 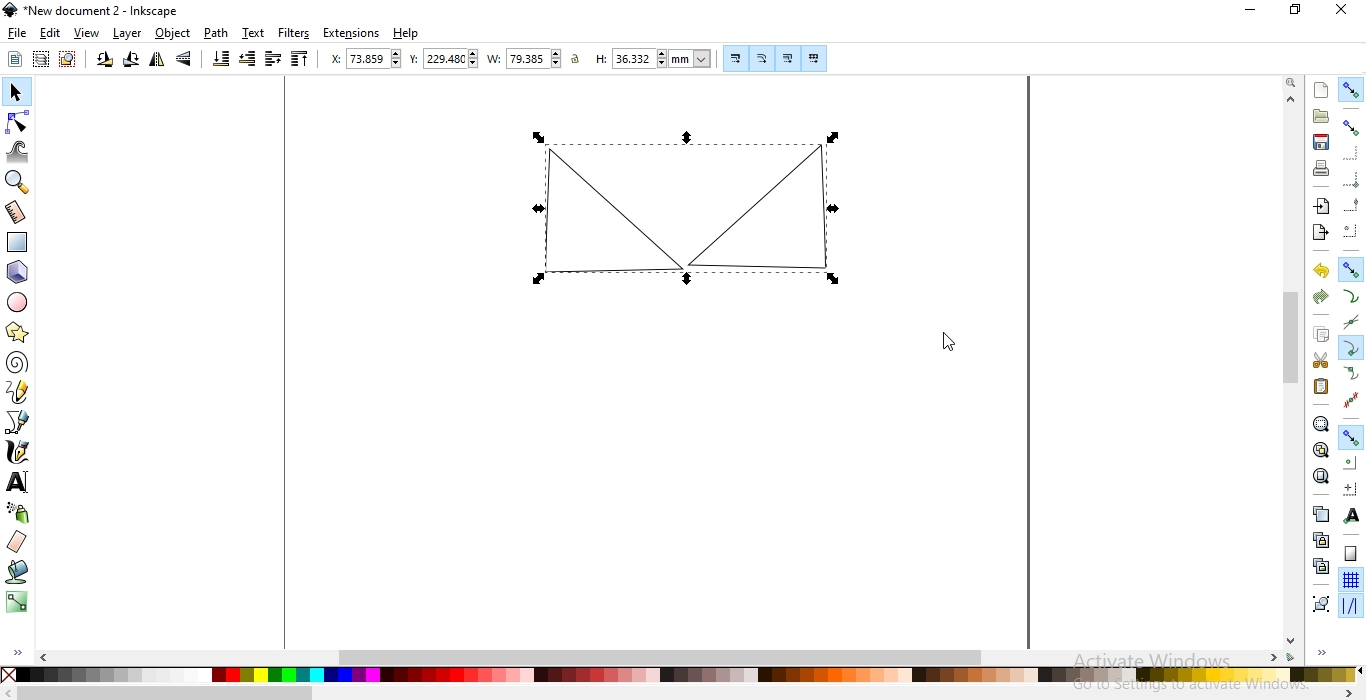 I want to click on save document, so click(x=1321, y=142).